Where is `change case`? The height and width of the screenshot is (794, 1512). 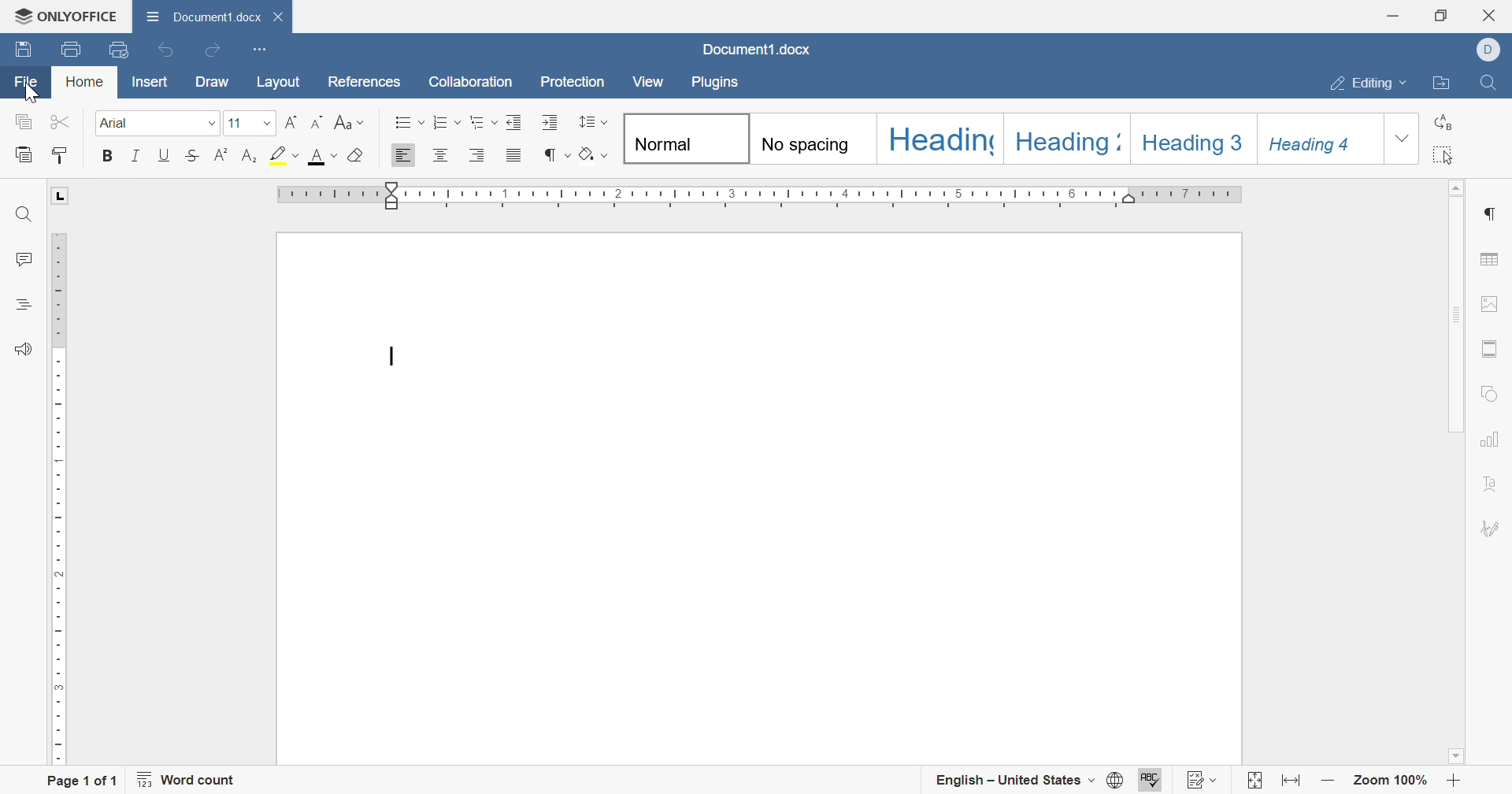
change case is located at coordinates (350, 121).